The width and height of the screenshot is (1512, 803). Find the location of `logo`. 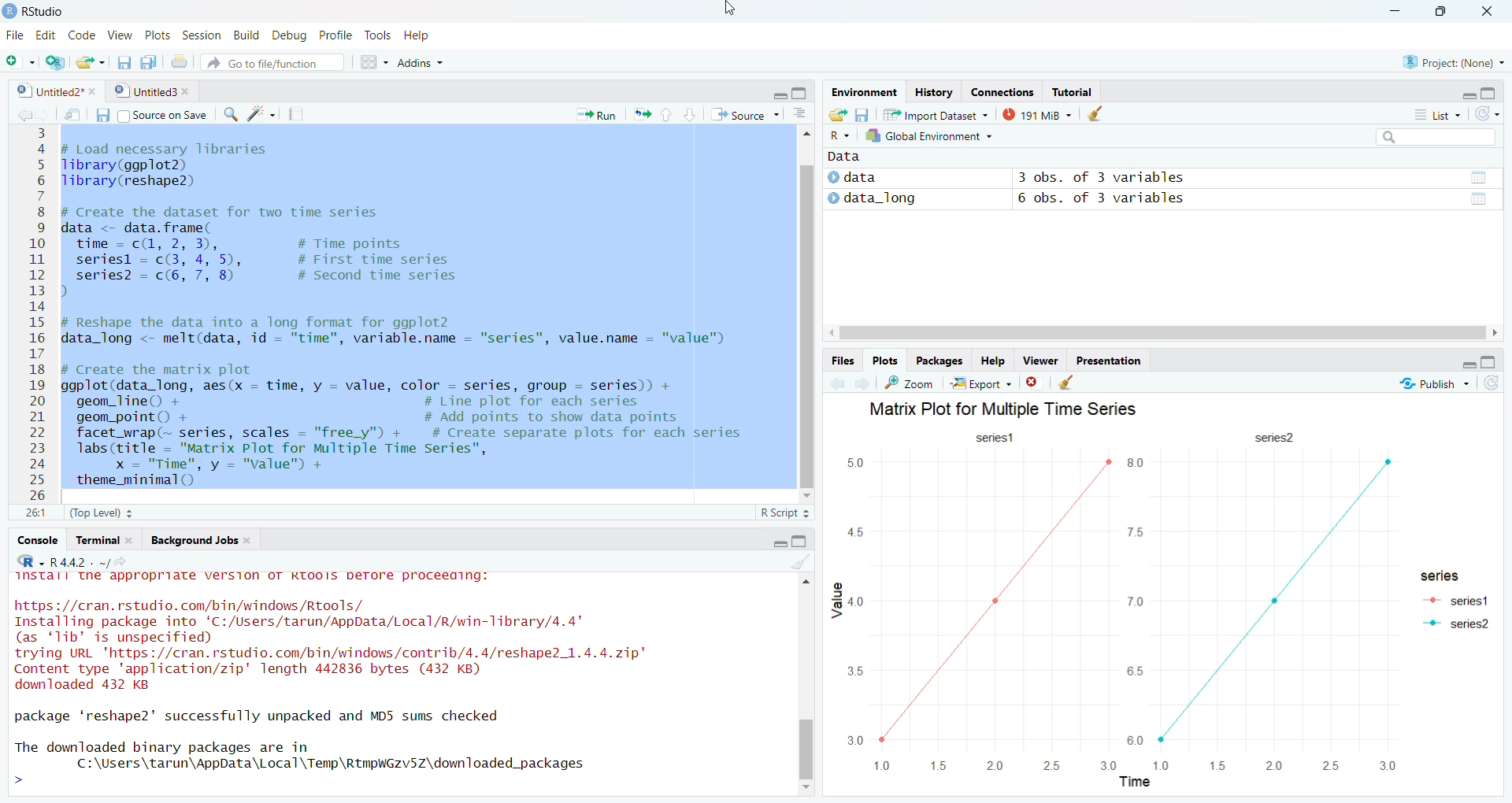

logo is located at coordinates (11, 12).